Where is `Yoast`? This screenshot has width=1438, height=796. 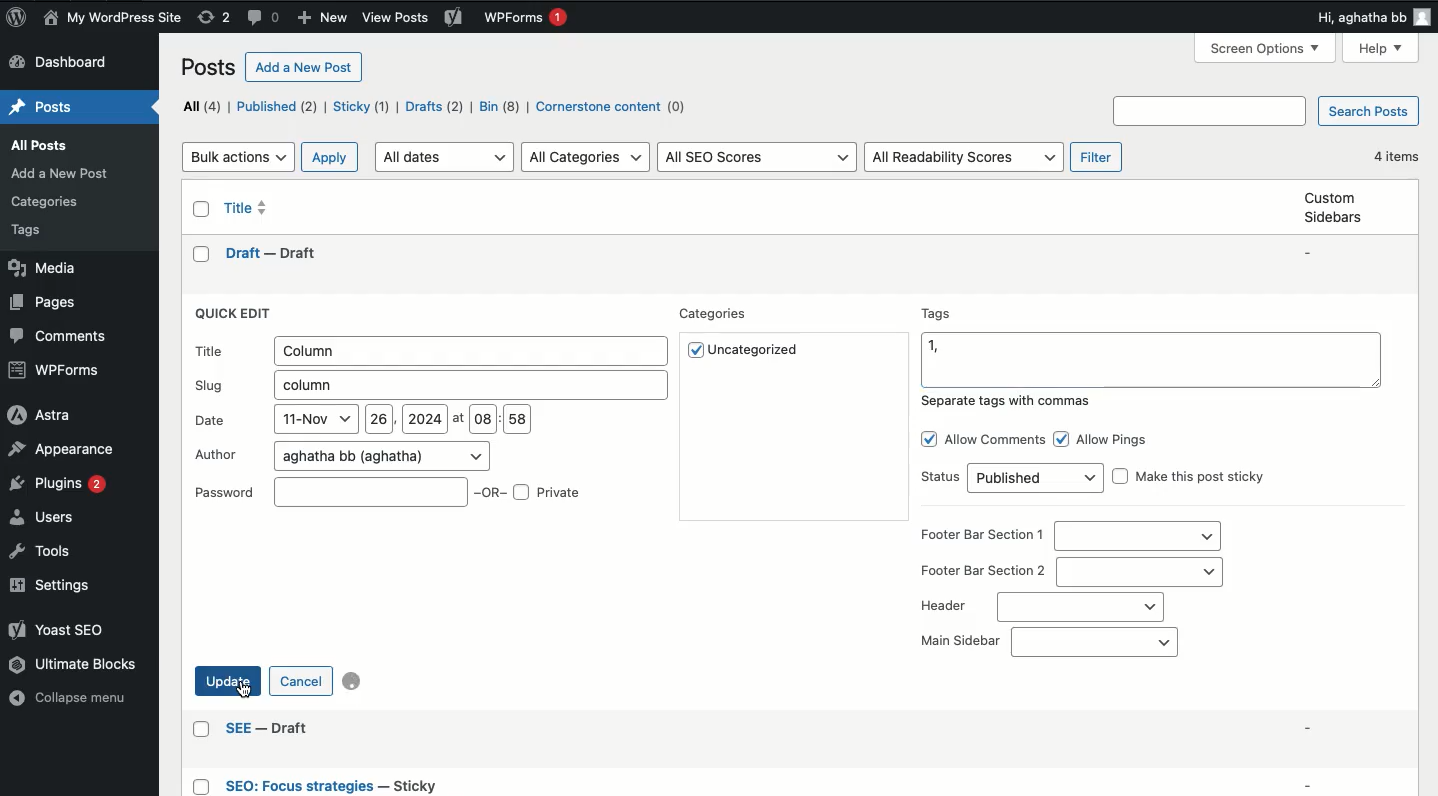
Yoast is located at coordinates (455, 22).